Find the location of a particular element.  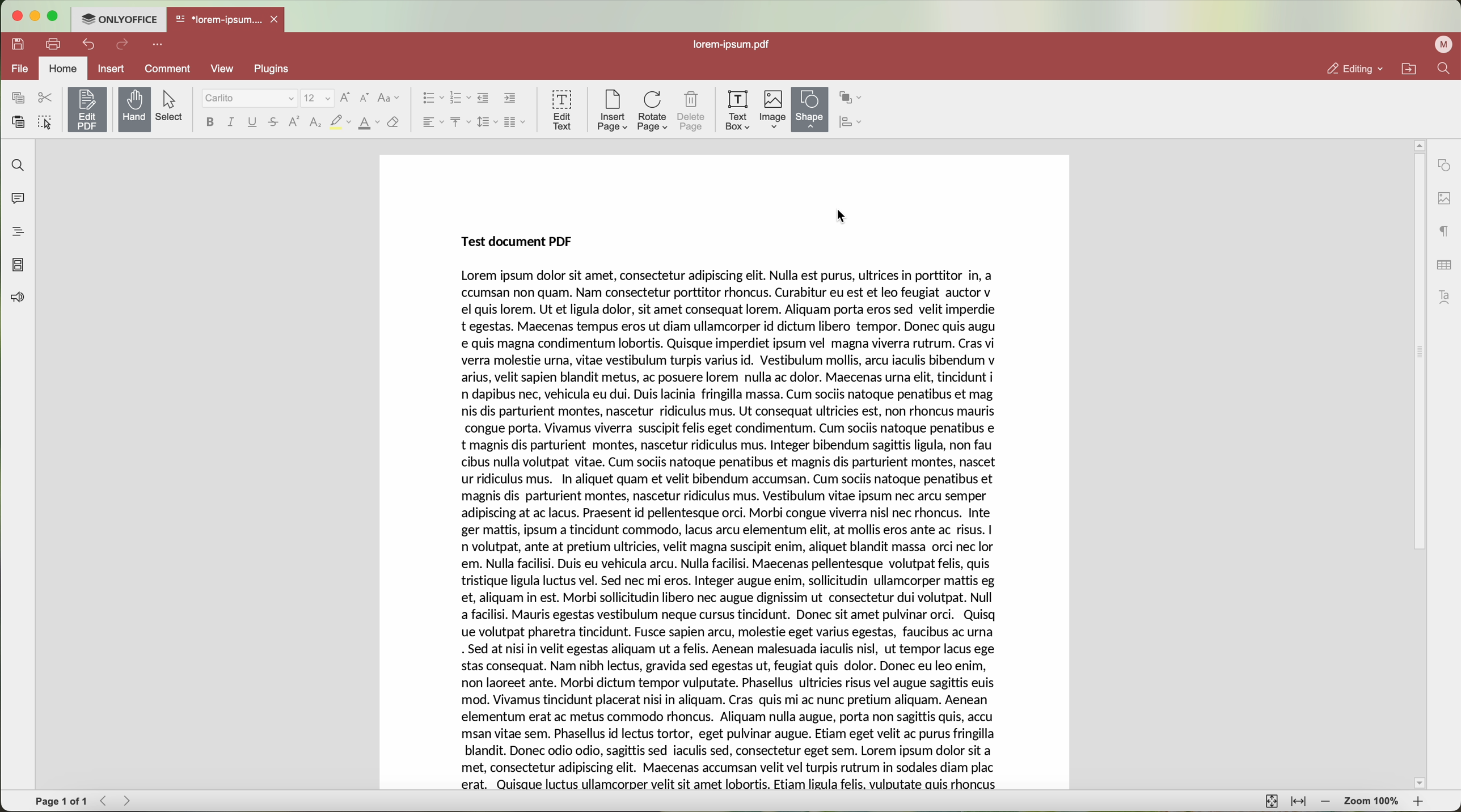

redo is located at coordinates (124, 46).